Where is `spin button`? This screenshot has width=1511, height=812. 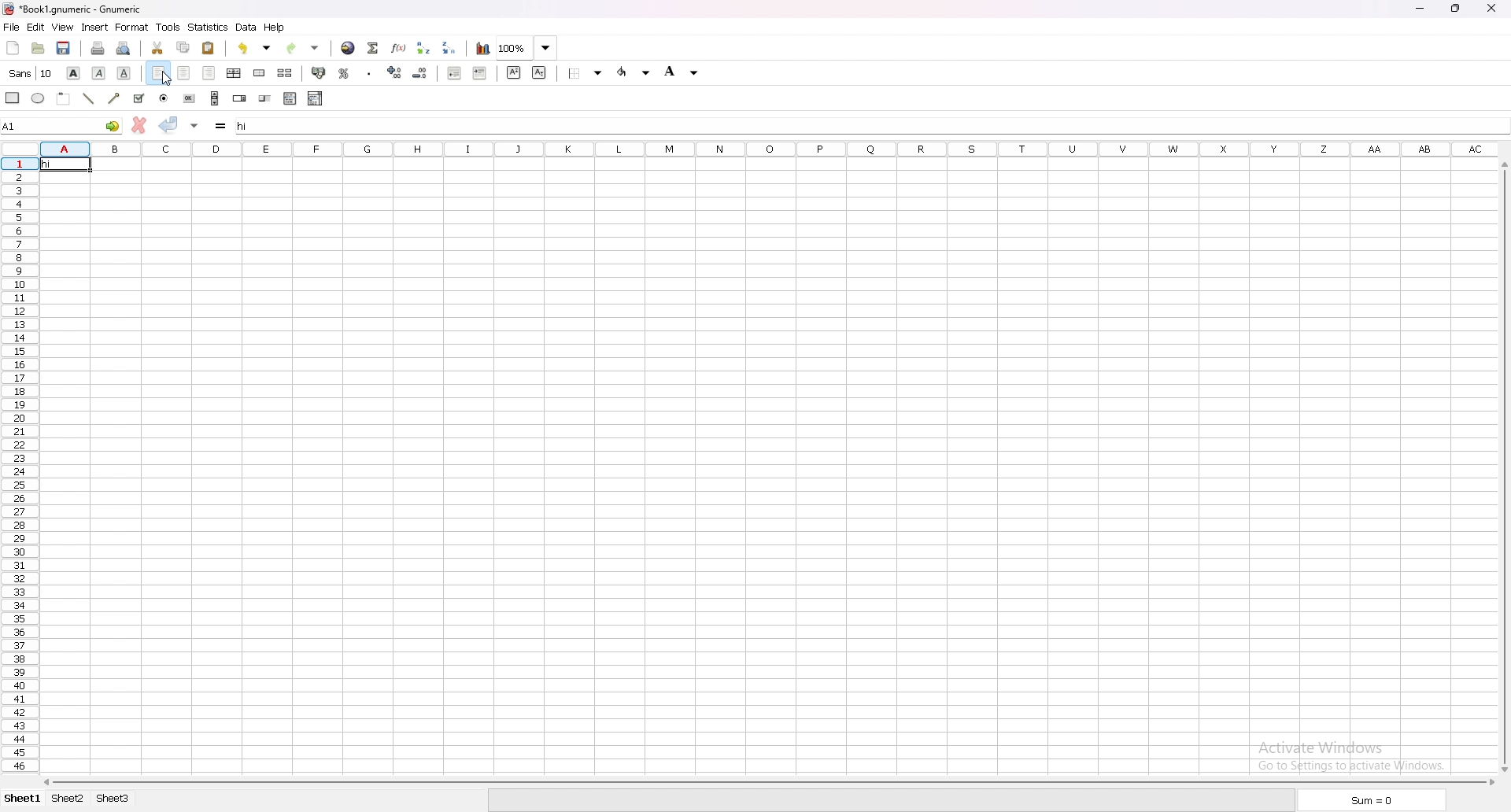
spin button is located at coordinates (240, 98).